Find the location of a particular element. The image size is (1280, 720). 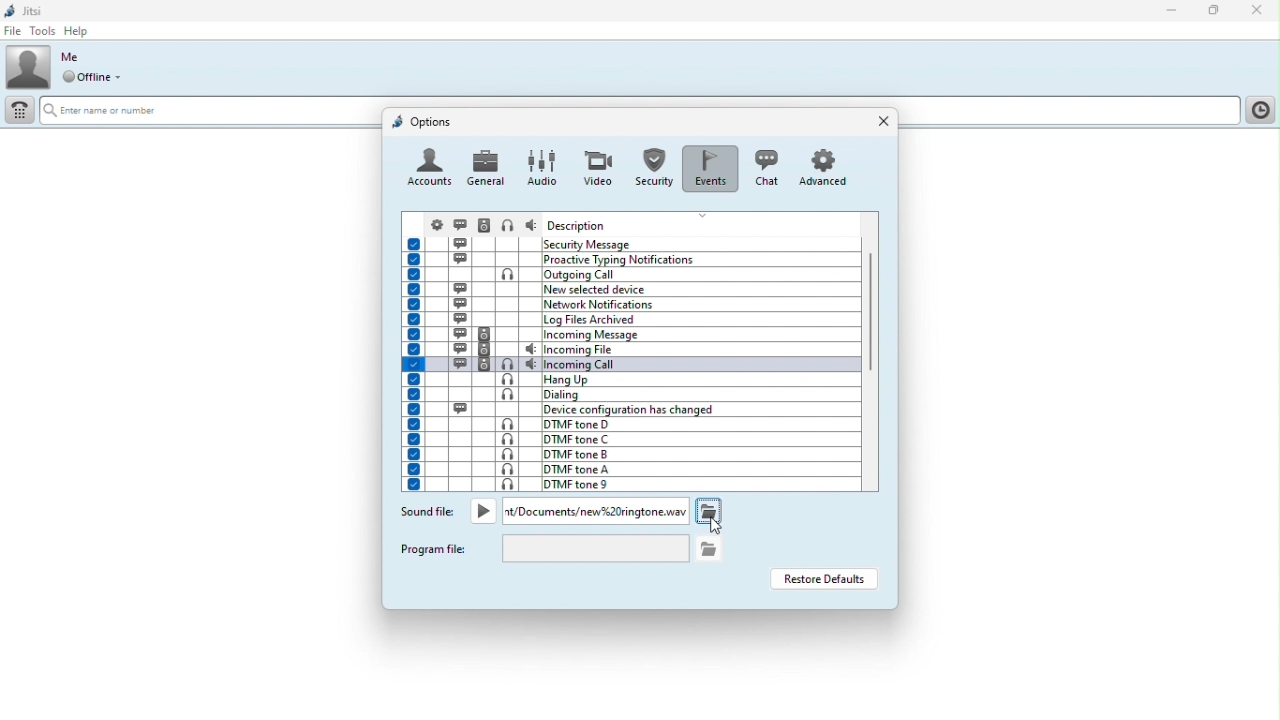

file path is located at coordinates (595, 511).